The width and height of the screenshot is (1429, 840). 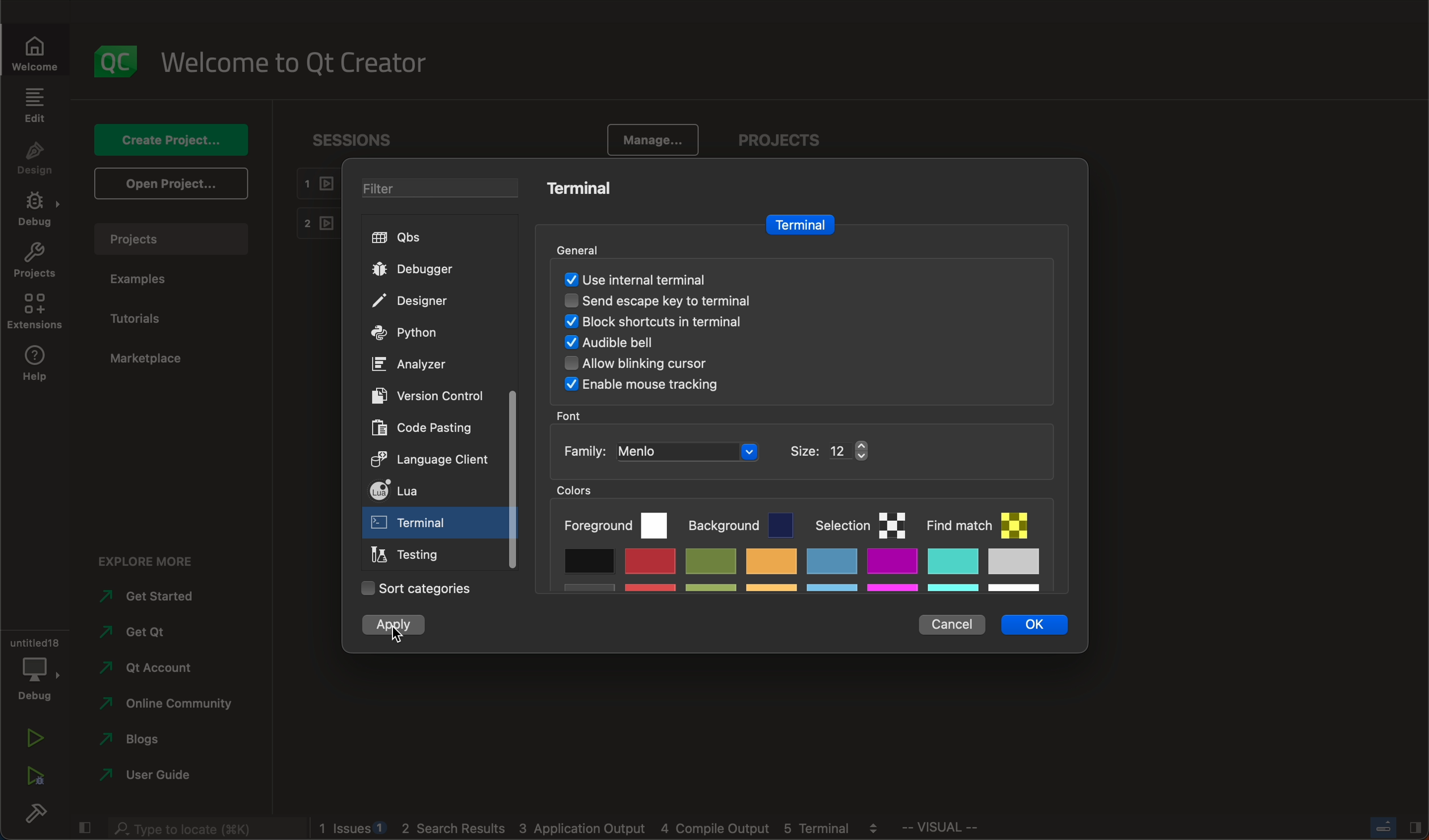 I want to click on terminal, so click(x=580, y=190).